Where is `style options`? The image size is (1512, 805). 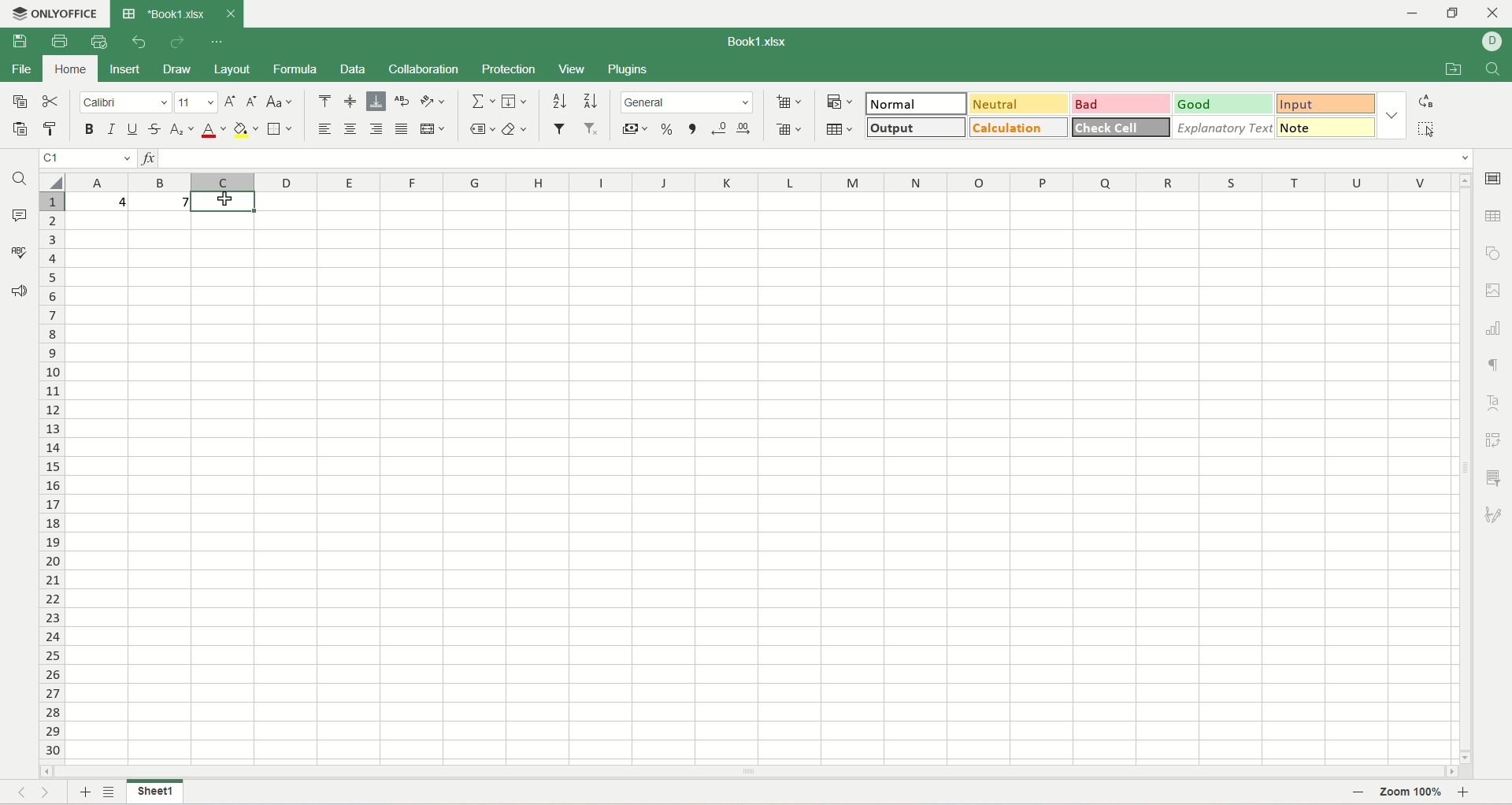
style options is located at coordinates (1392, 114).